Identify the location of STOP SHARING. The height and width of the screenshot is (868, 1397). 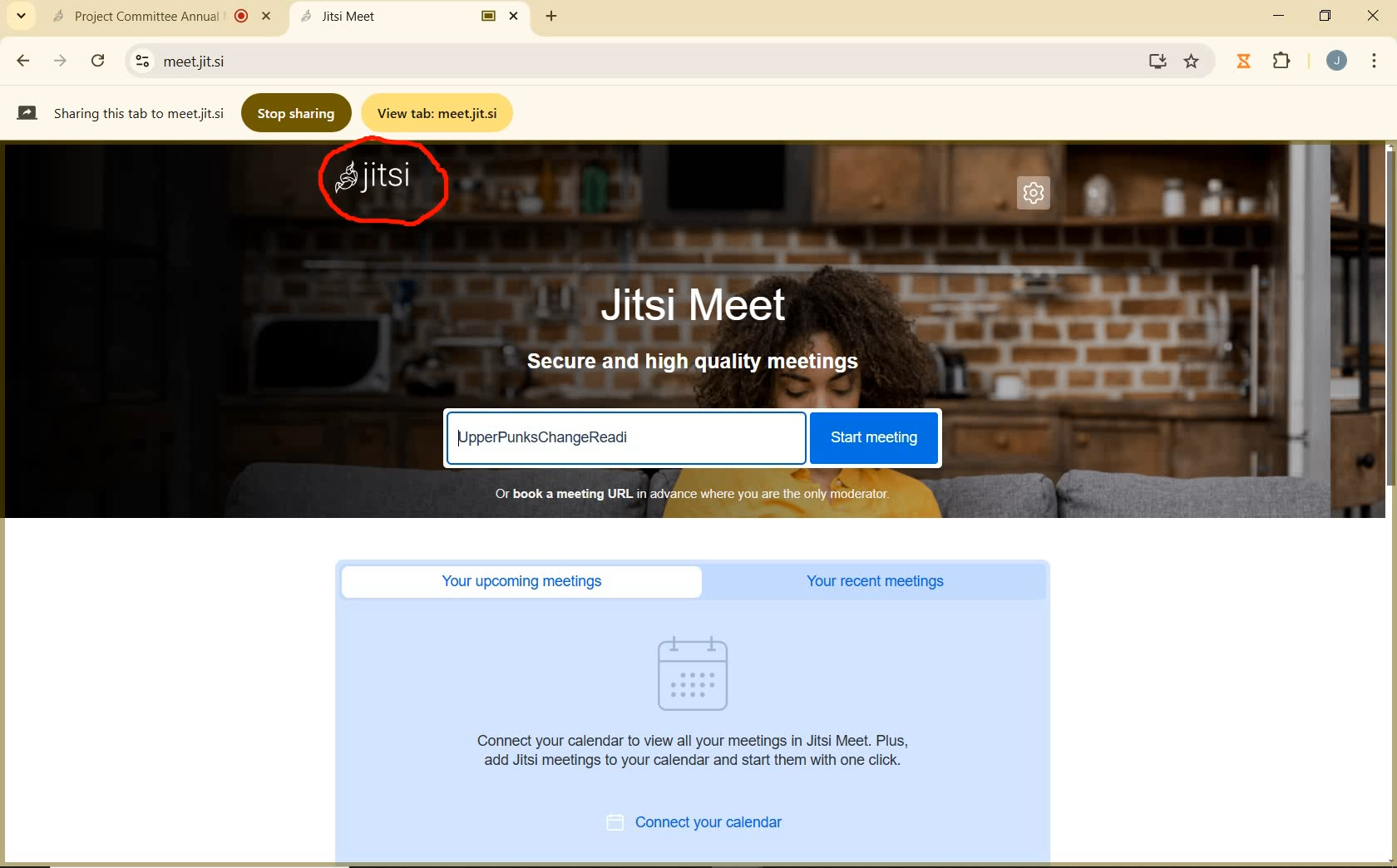
(298, 111).